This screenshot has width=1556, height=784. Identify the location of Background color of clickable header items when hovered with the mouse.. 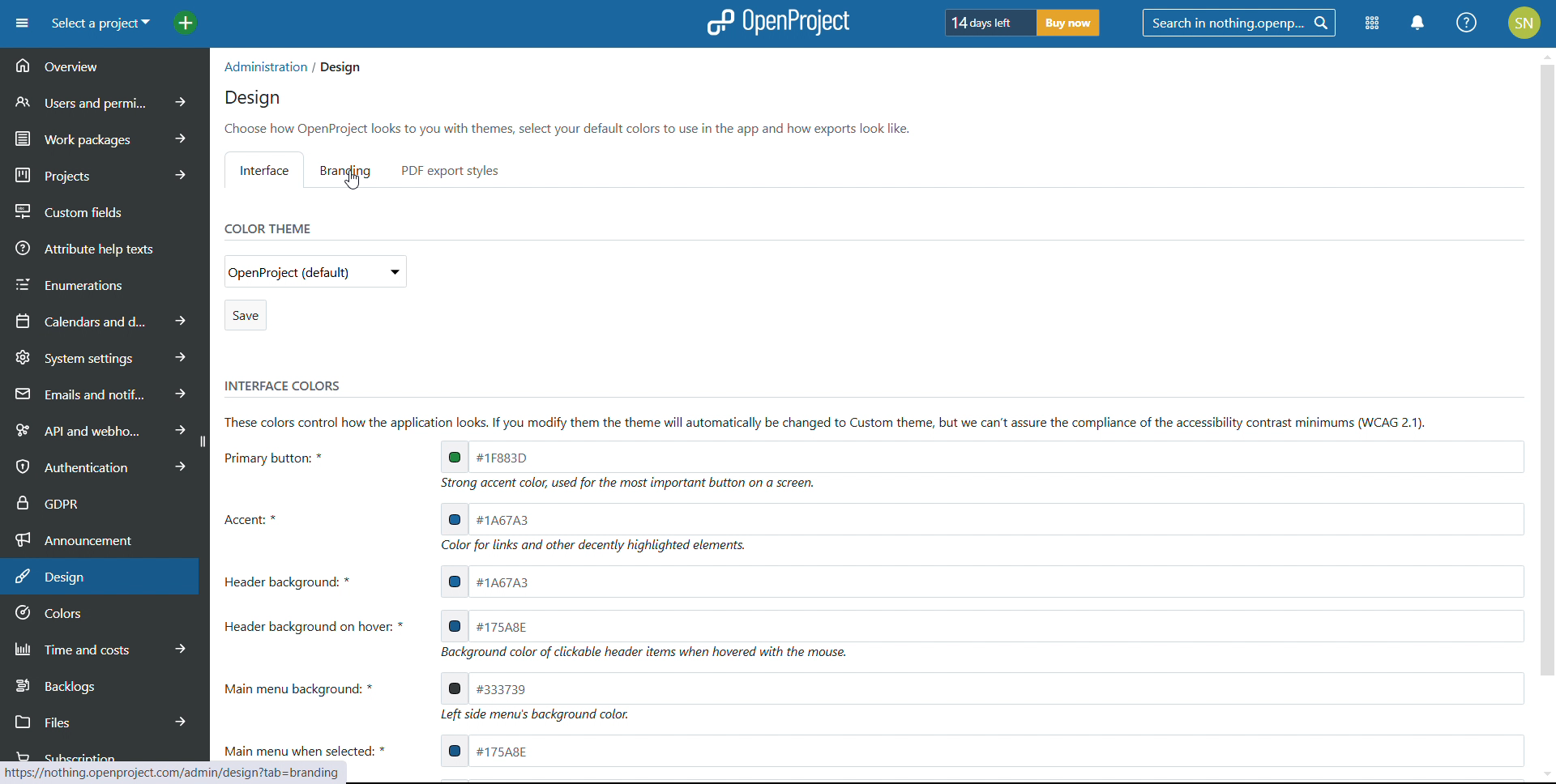
(651, 654).